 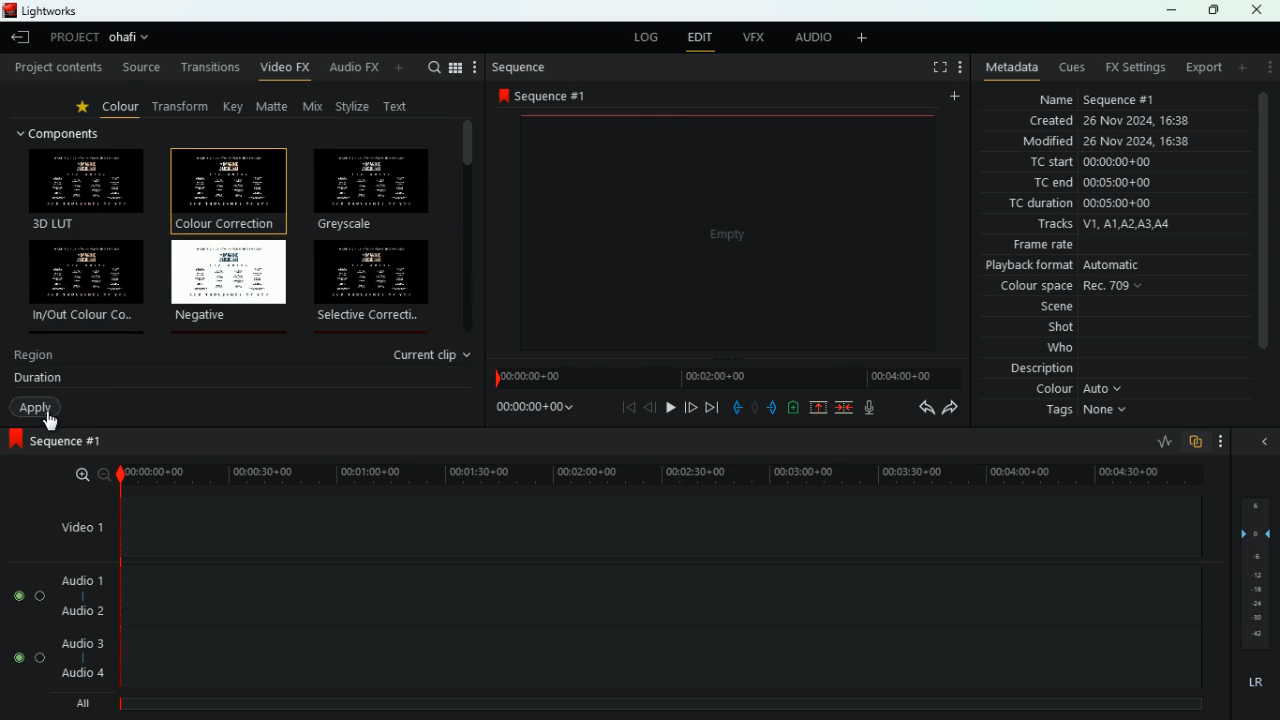 What do you see at coordinates (1114, 225) in the screenshot?
I see `tracks` at bounding box center [1114, 225].